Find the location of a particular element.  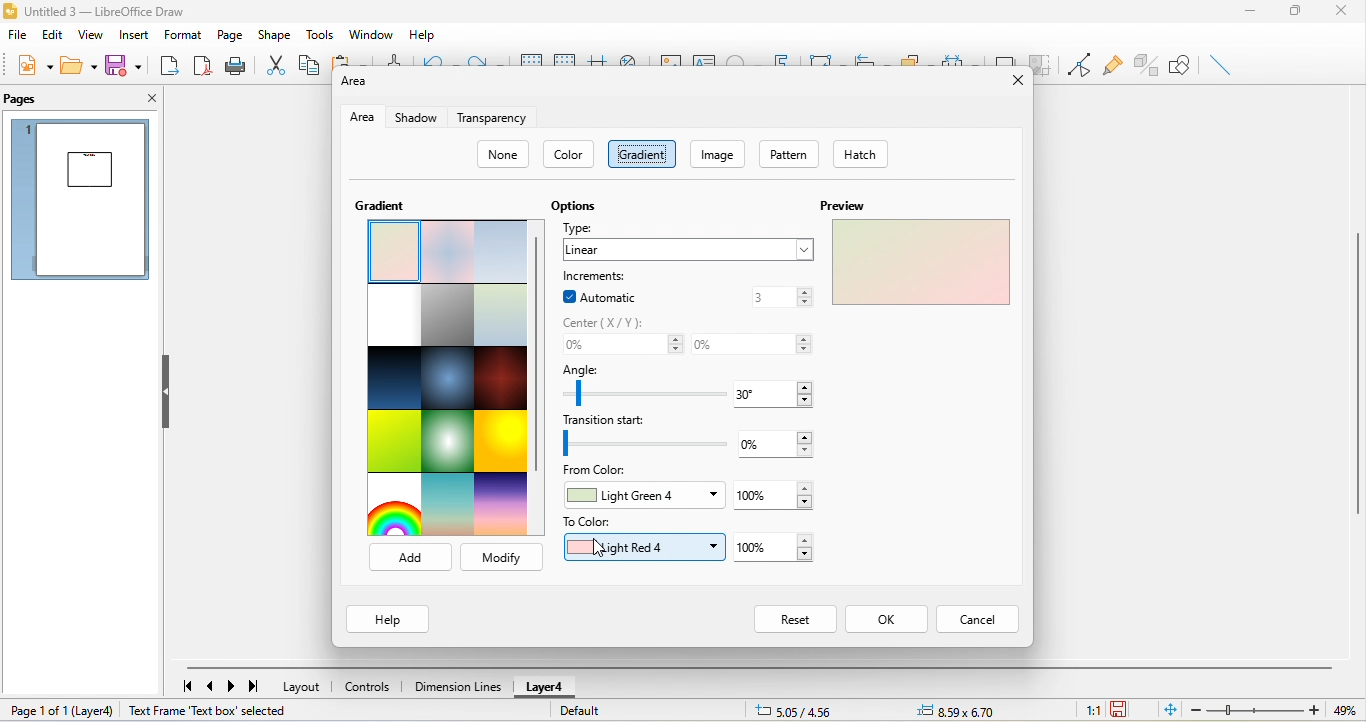

color is located at coordinates (571, 155).